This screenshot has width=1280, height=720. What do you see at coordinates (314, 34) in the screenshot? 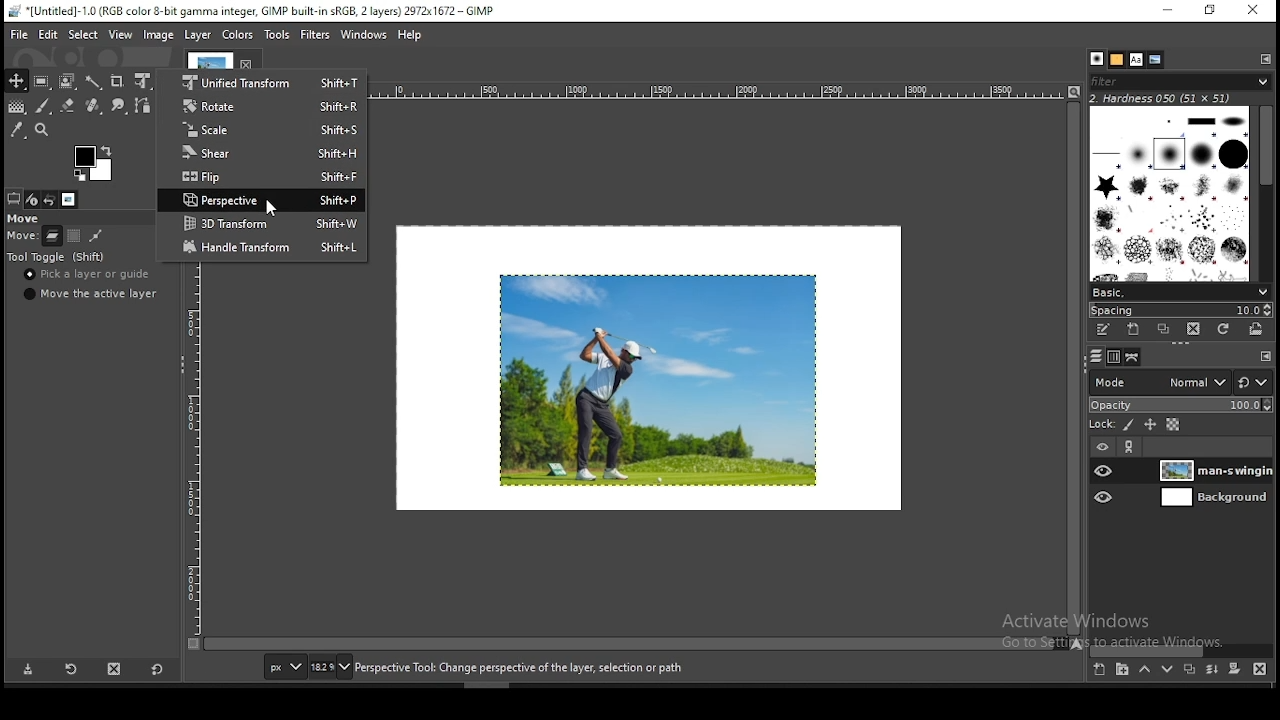
I see `filters` at bounding box center [314, 34].